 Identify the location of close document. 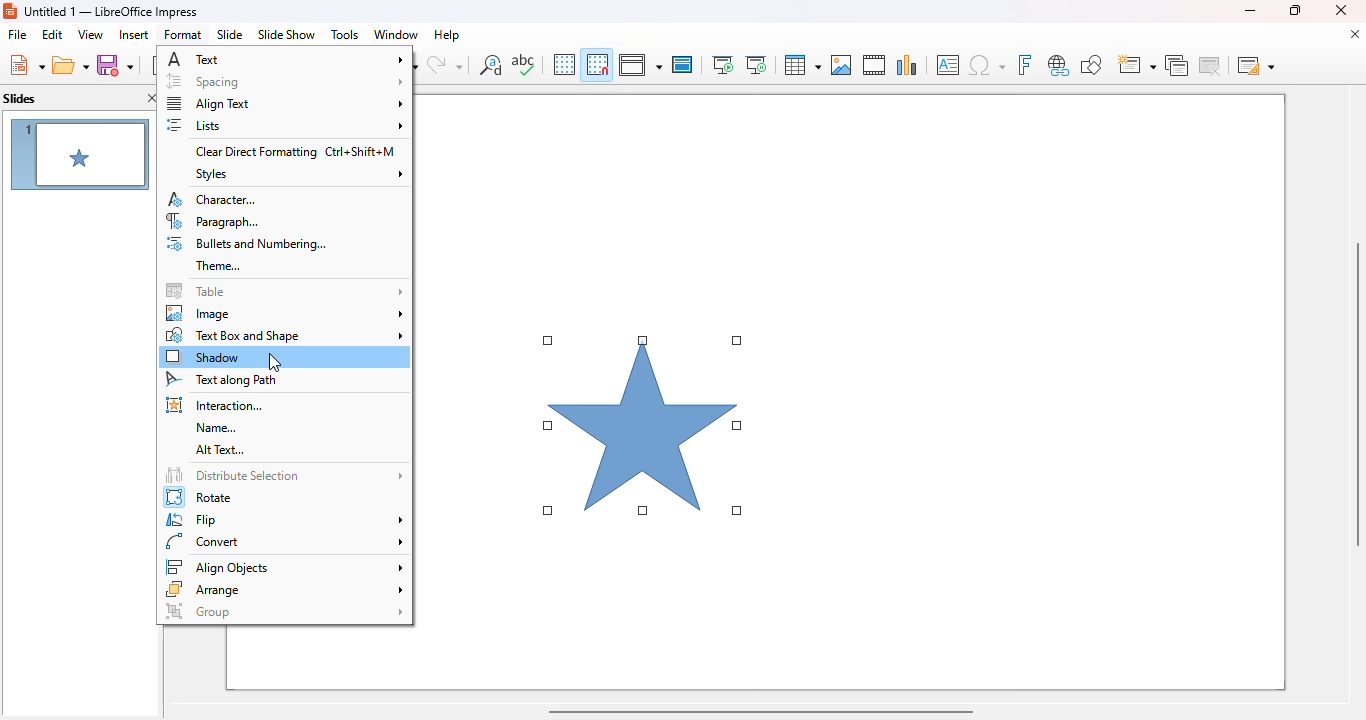
(1354, 34).